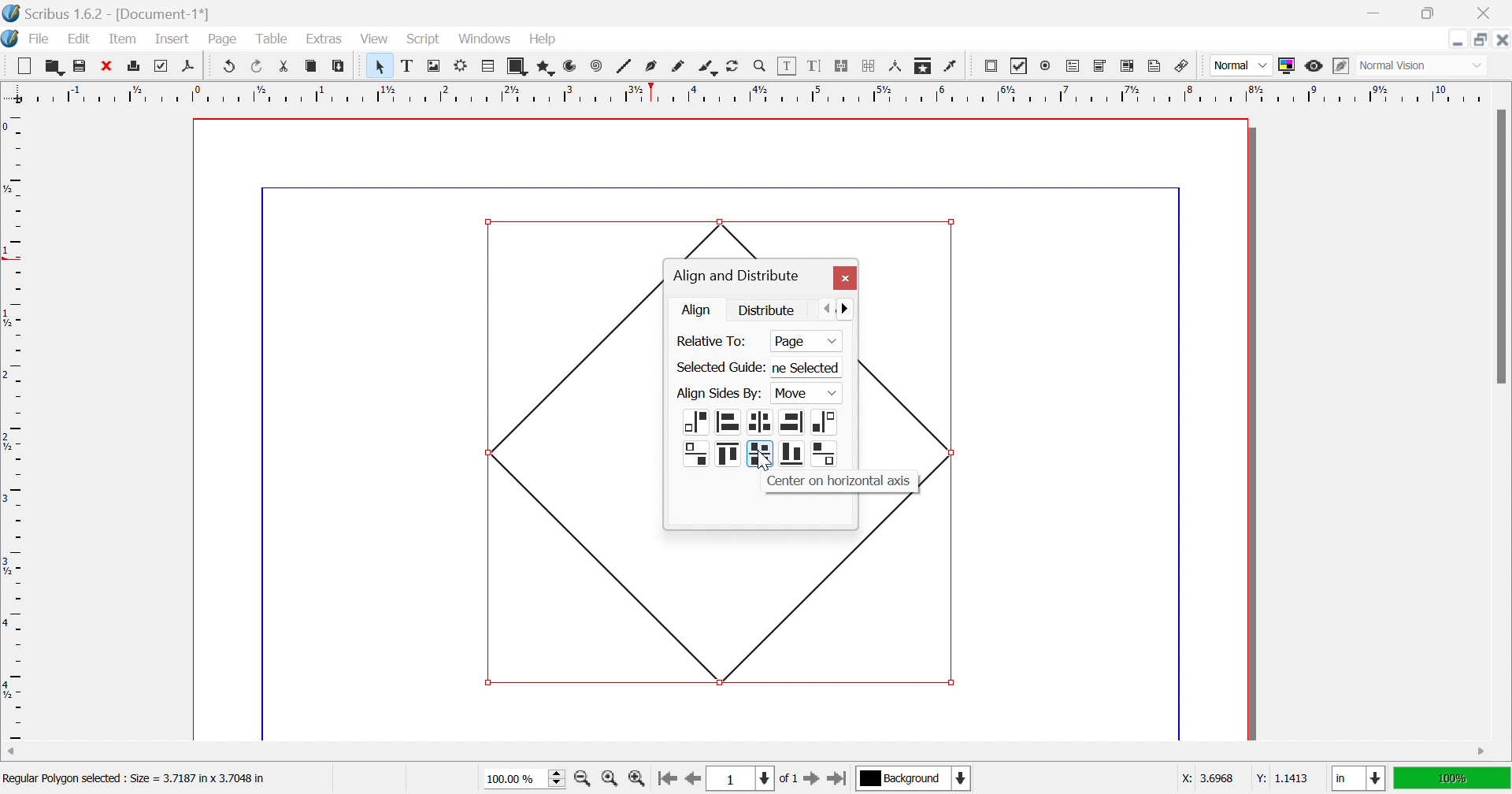 The width and height of the screenshot is (1512, 794). I want to click on PDF push button, so click(993, 65).